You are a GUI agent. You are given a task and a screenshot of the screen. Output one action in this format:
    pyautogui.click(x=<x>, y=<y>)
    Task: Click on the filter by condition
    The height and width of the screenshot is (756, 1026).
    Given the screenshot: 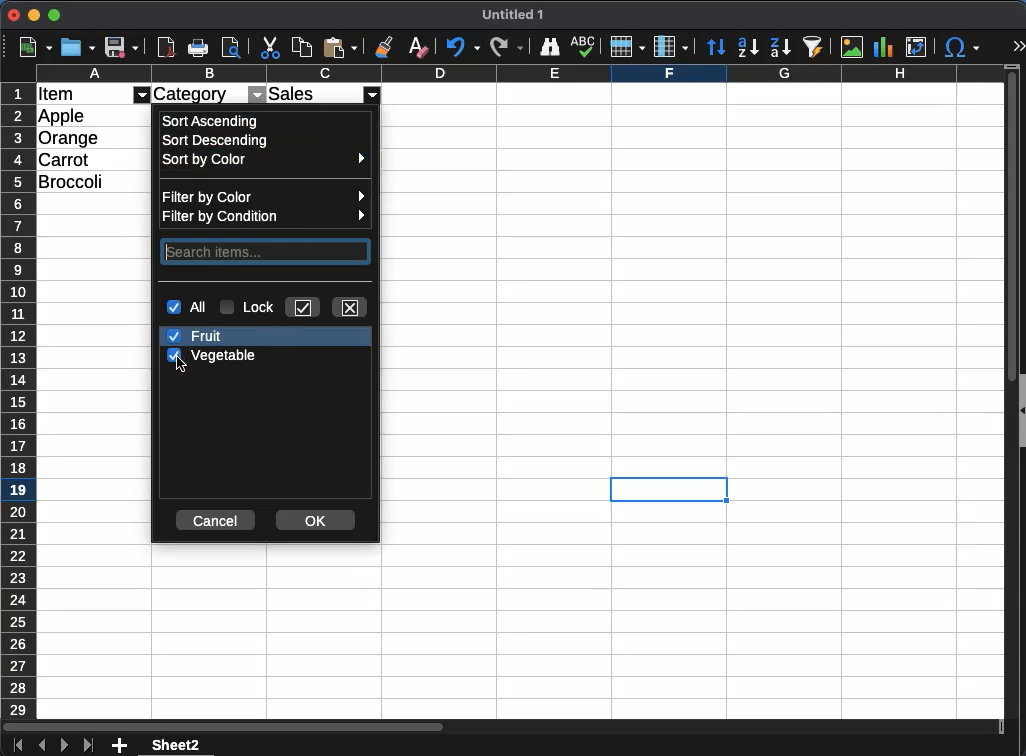 What is the action you would take?
    pyautogui.click(x=265, y=215)
    